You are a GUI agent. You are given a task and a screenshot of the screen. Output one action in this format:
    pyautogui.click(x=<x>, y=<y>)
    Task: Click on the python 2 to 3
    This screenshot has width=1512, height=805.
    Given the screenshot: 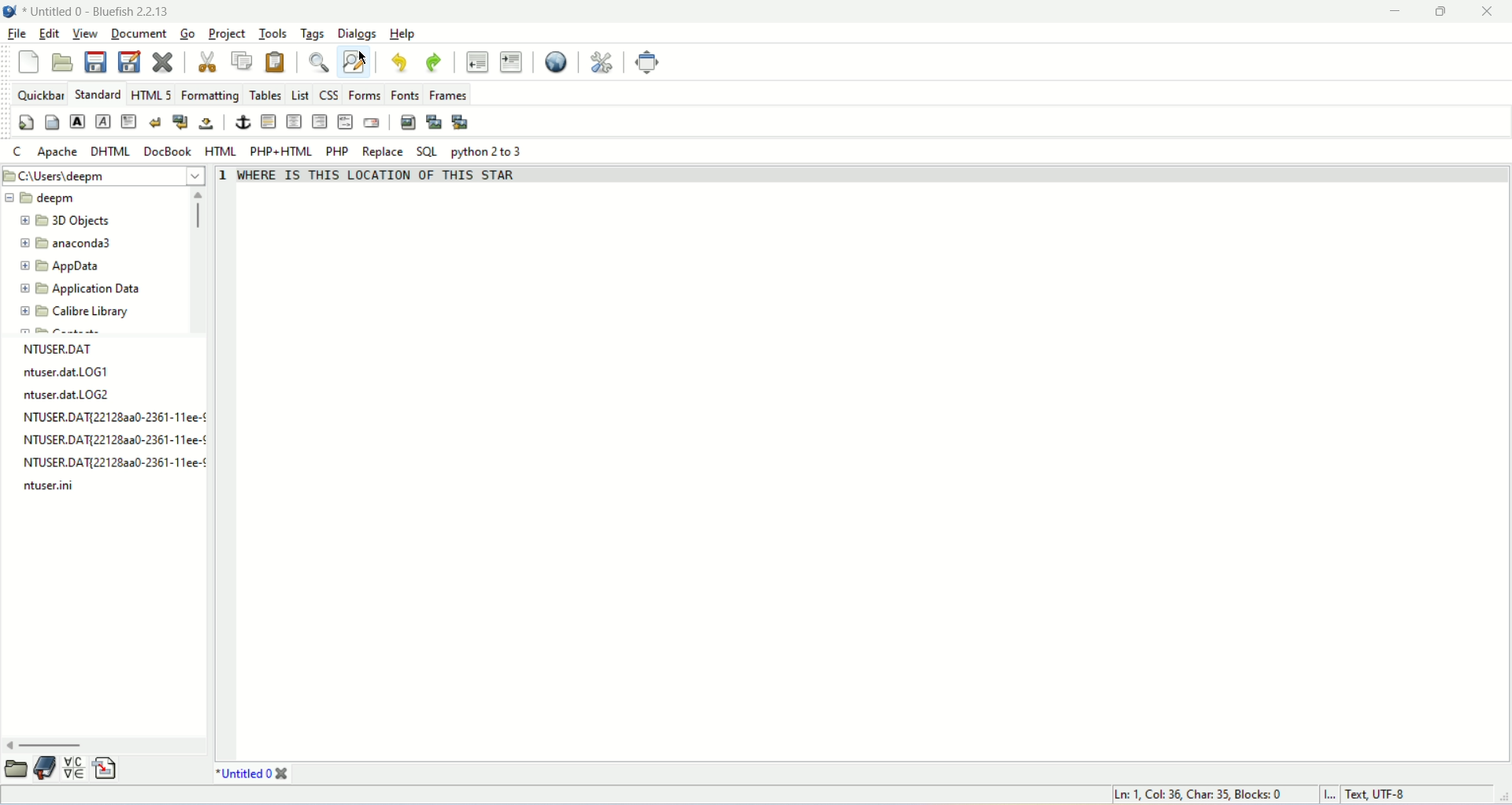 What is the action you would take?
    pyautogui.click(x=490, y=152)
    